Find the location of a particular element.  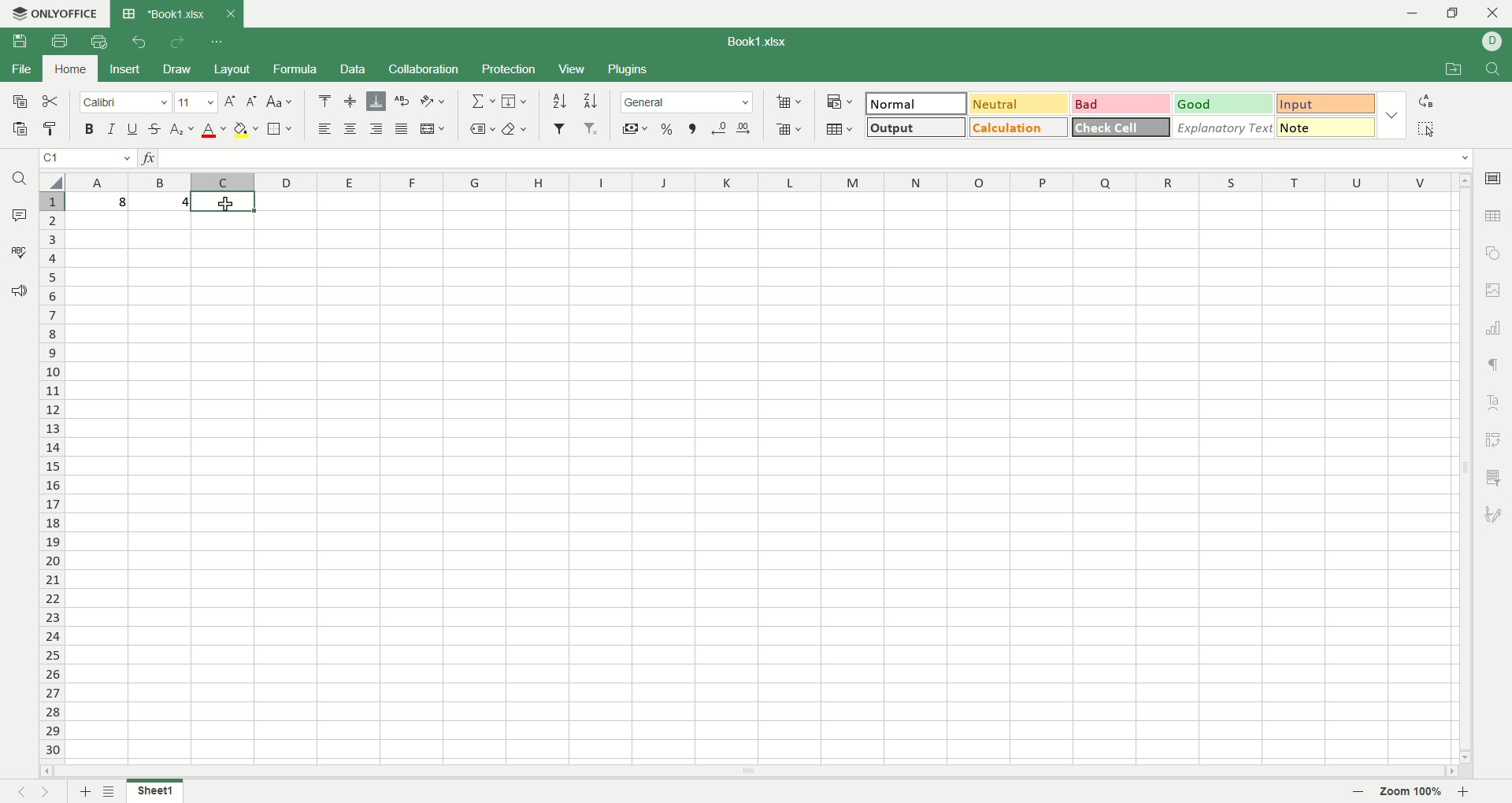

spell check is located at coordinates (18, 250).